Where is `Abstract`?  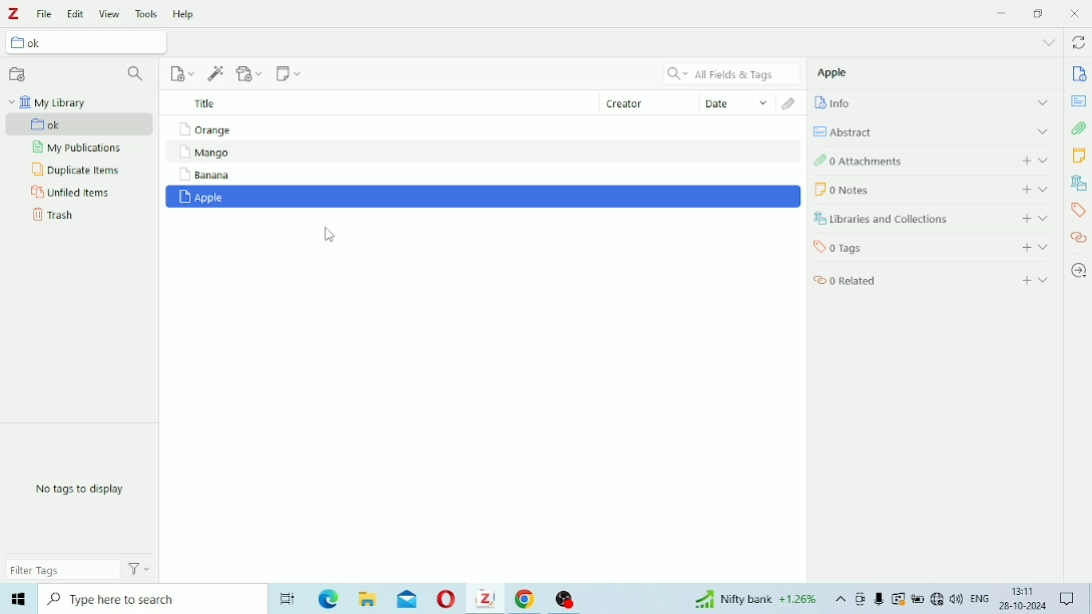
Abstract is located at coordinates (852, 129).